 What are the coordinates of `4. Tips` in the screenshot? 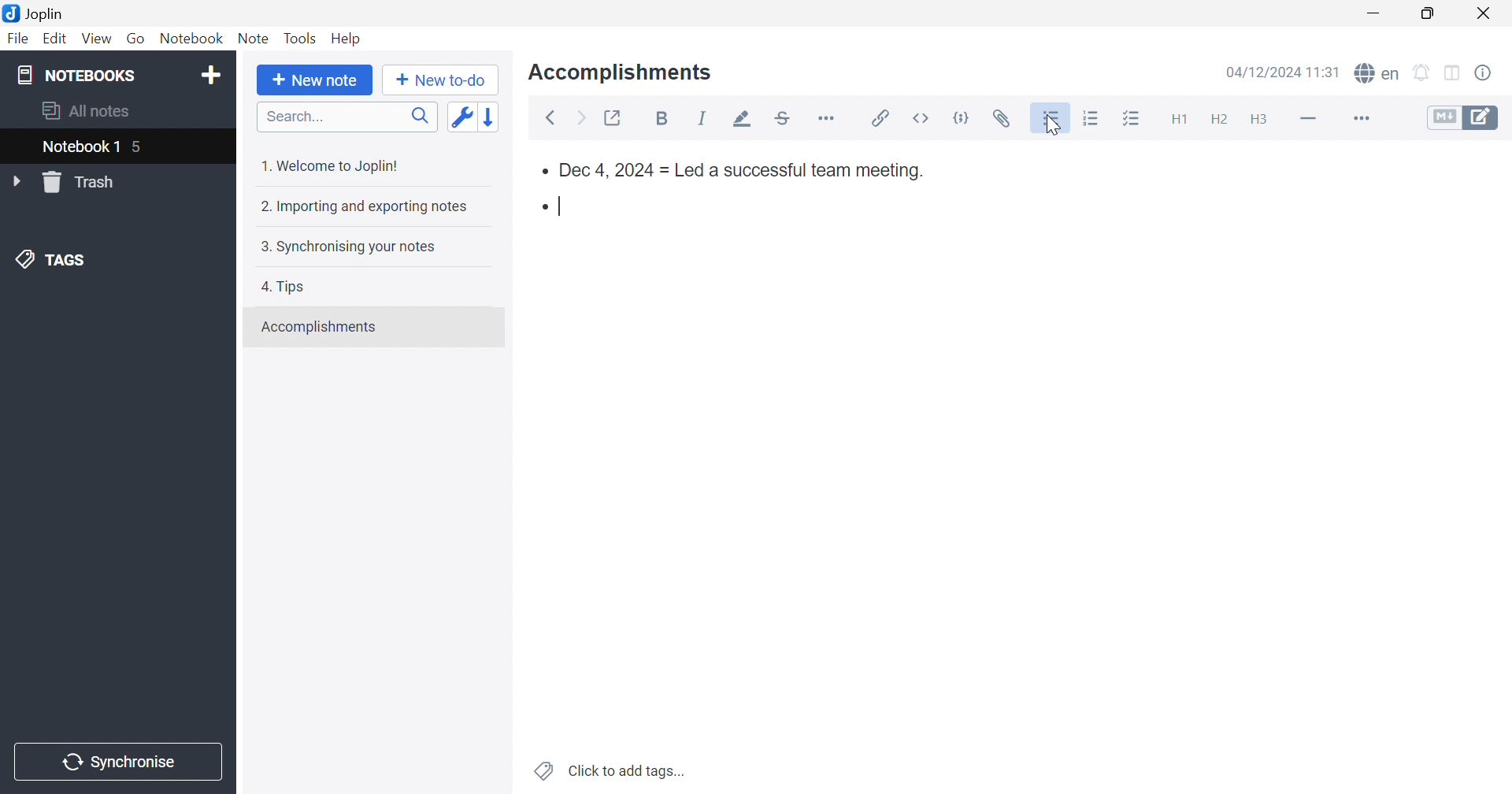 It's located at (283, 288).